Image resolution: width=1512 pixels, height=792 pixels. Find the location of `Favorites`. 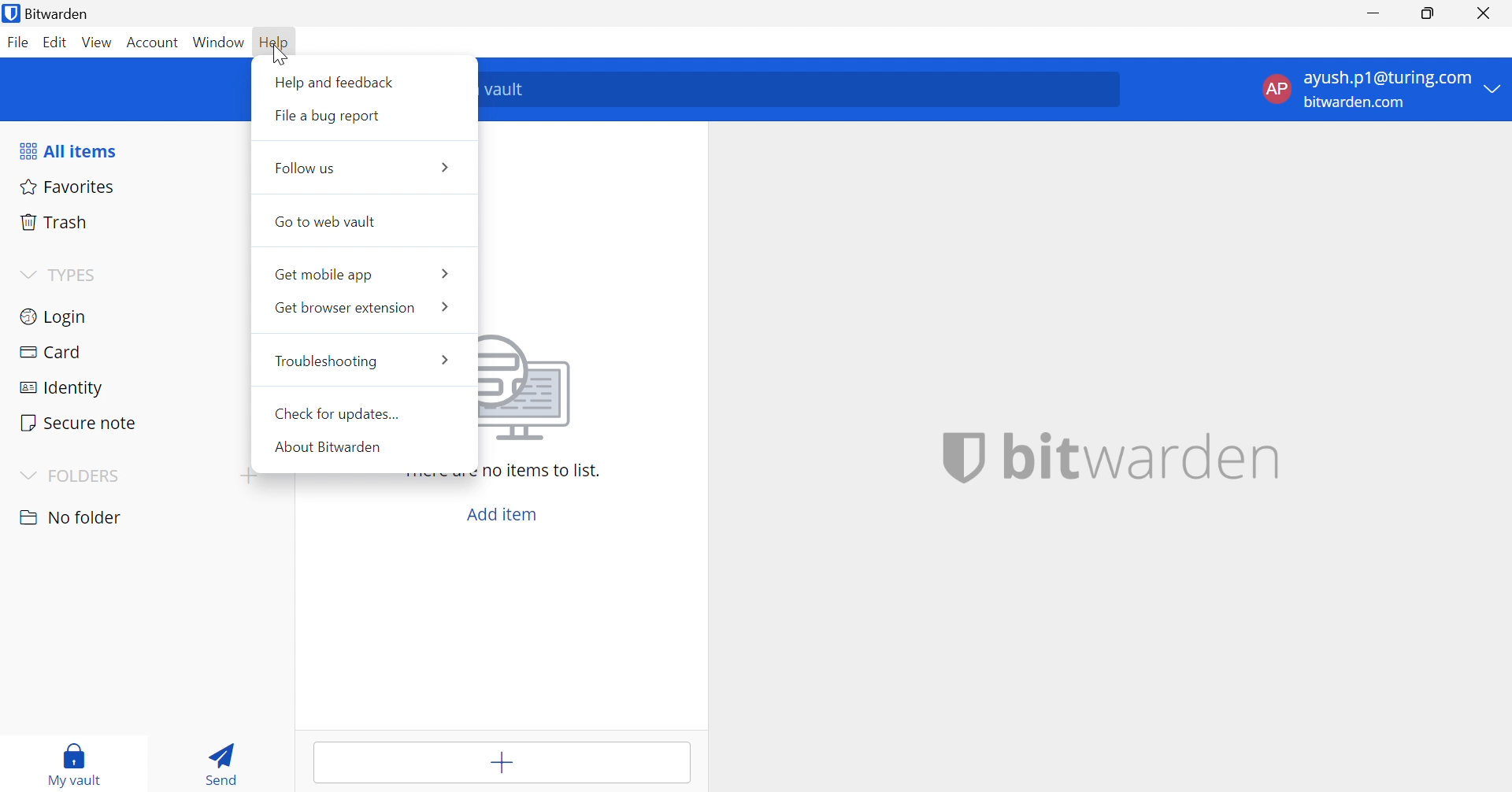

Favorites is located at coordinates (127, 187).